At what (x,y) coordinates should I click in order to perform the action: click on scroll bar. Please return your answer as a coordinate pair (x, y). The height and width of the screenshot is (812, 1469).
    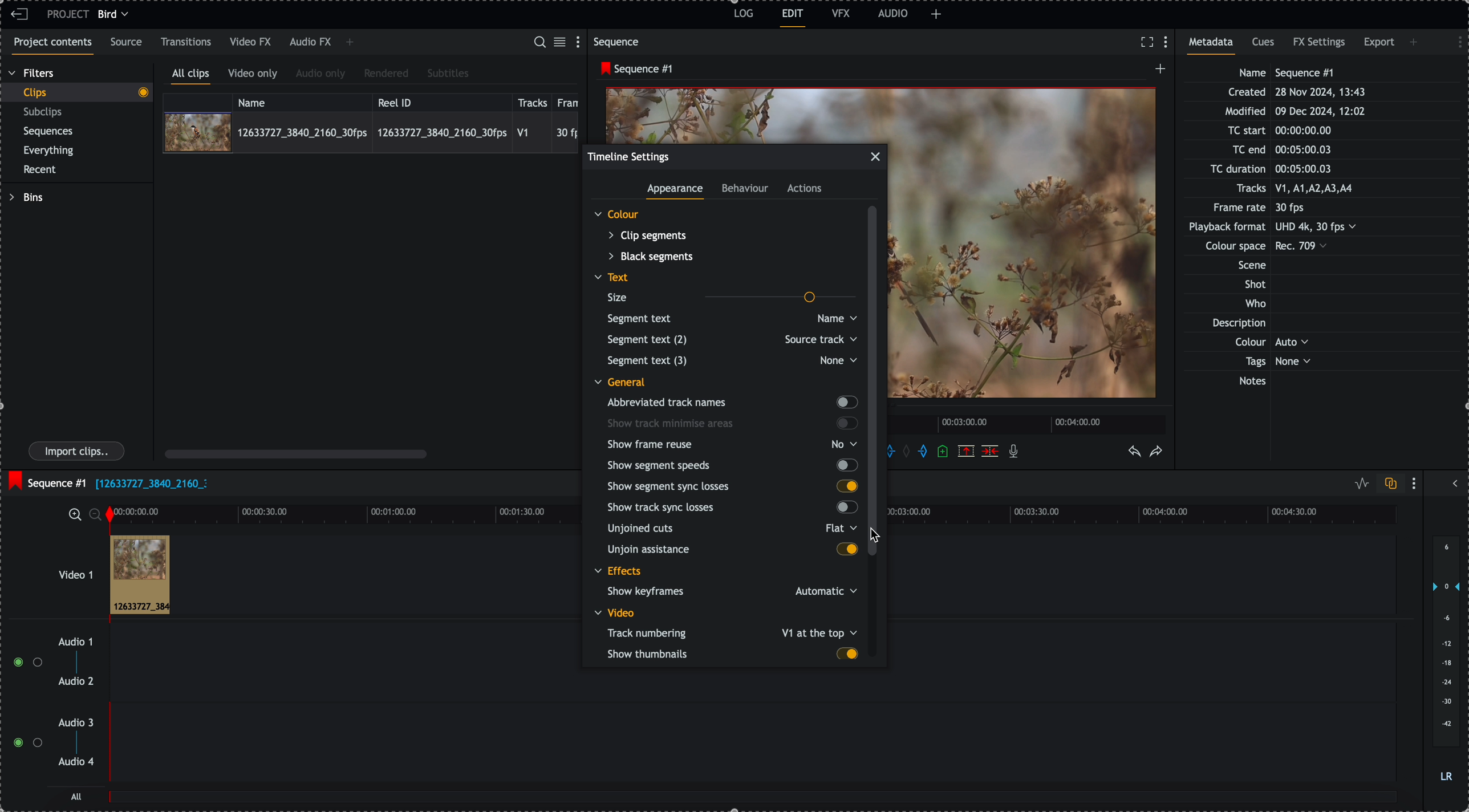
    Looking at the image, I should click on (296, 453).